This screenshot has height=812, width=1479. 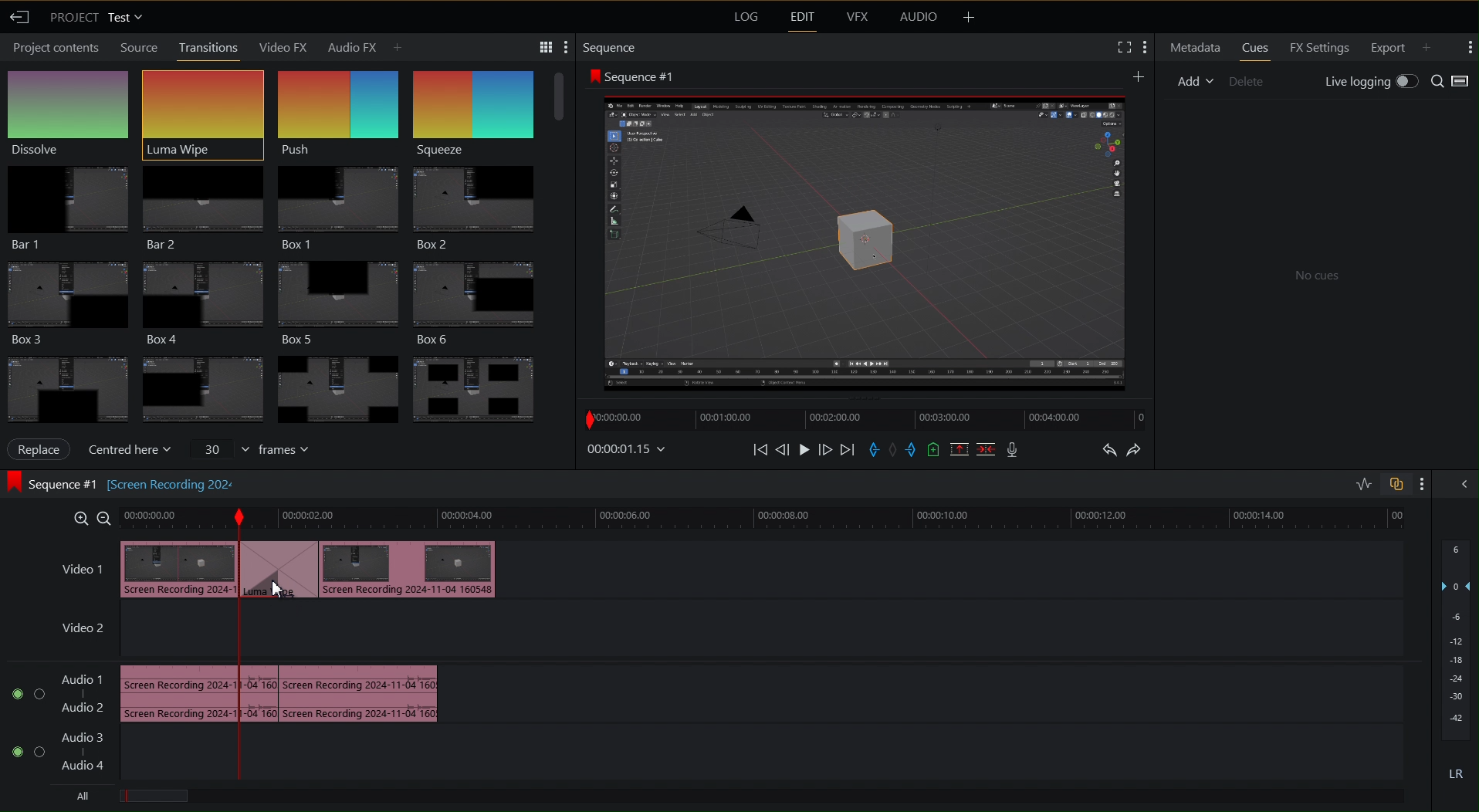 What do you see at coordinates (483, 104) in the screenshot?
I see `Sequence` at bounding box center [483, 104].